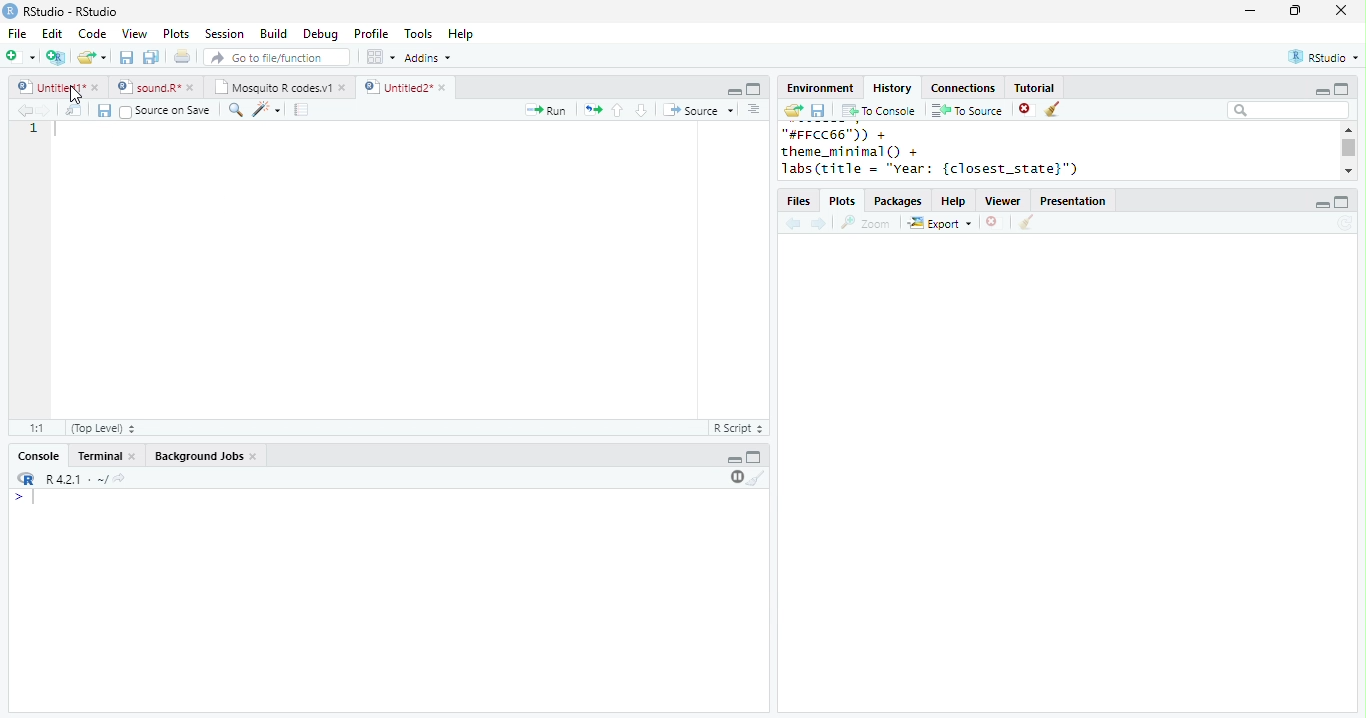  Describe the element at coordinates (461, 35) in the screenshot. I see `Help` at that location.